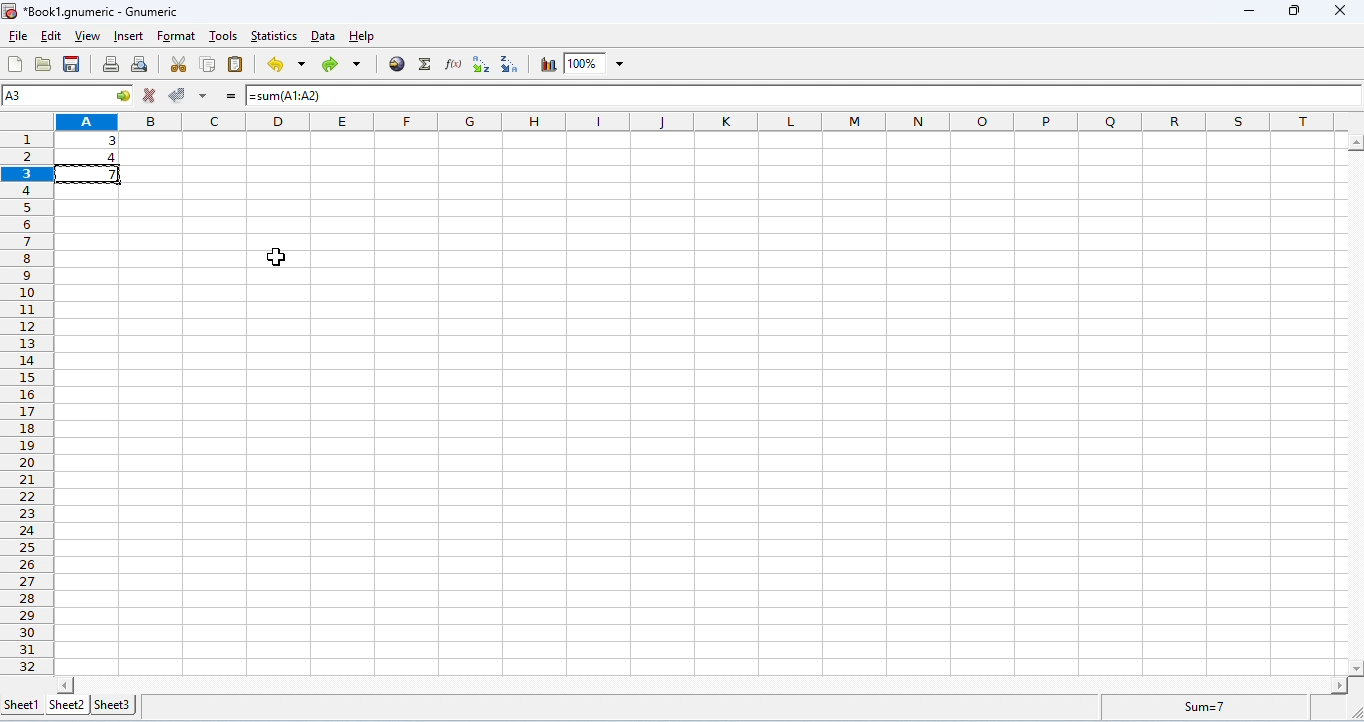 The height and width of the screenshot is (722, 1364). I want to click on reject, so click(149, 95).